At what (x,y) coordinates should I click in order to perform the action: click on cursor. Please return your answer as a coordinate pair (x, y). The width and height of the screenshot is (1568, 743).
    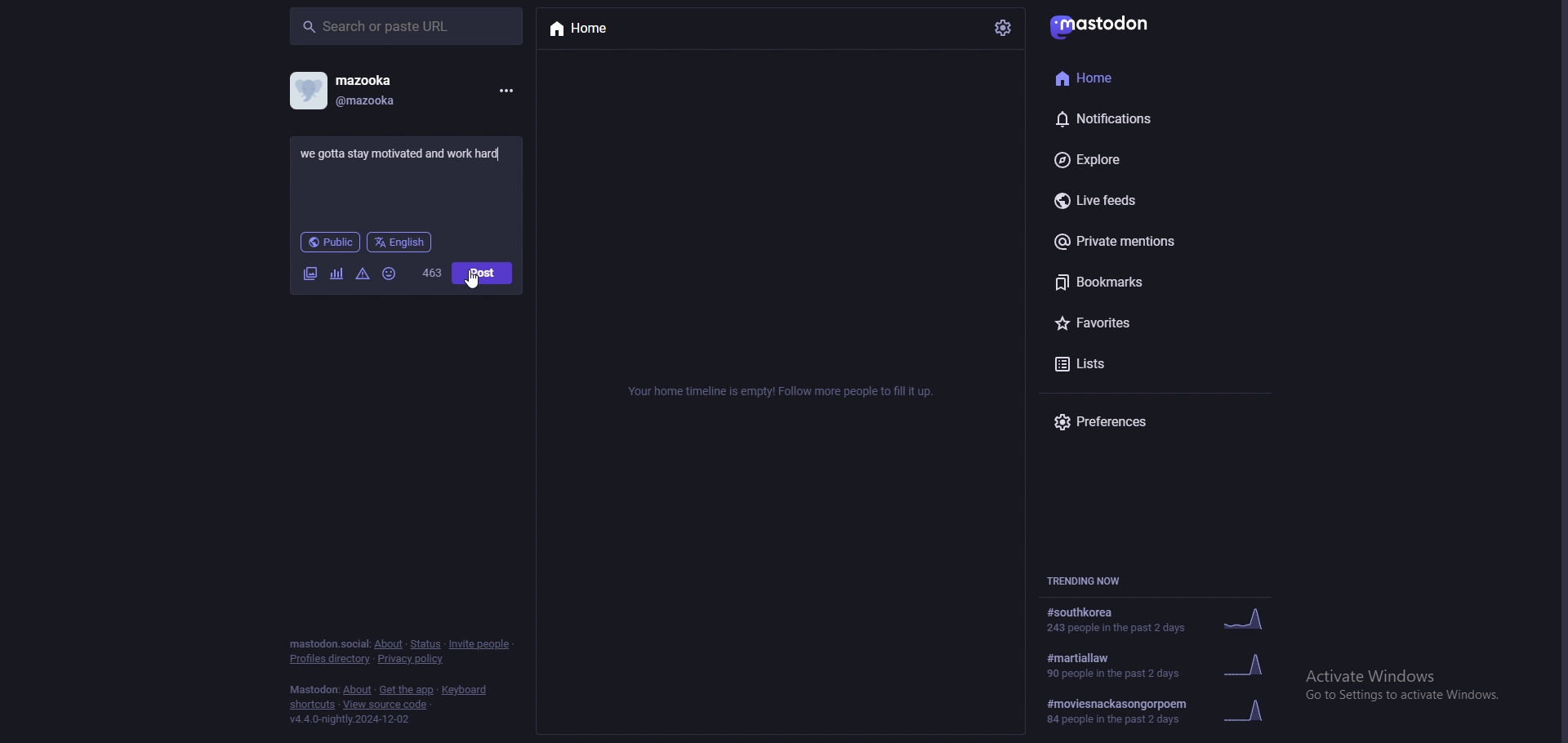
    Looking at the image, I should click on (472, 280).